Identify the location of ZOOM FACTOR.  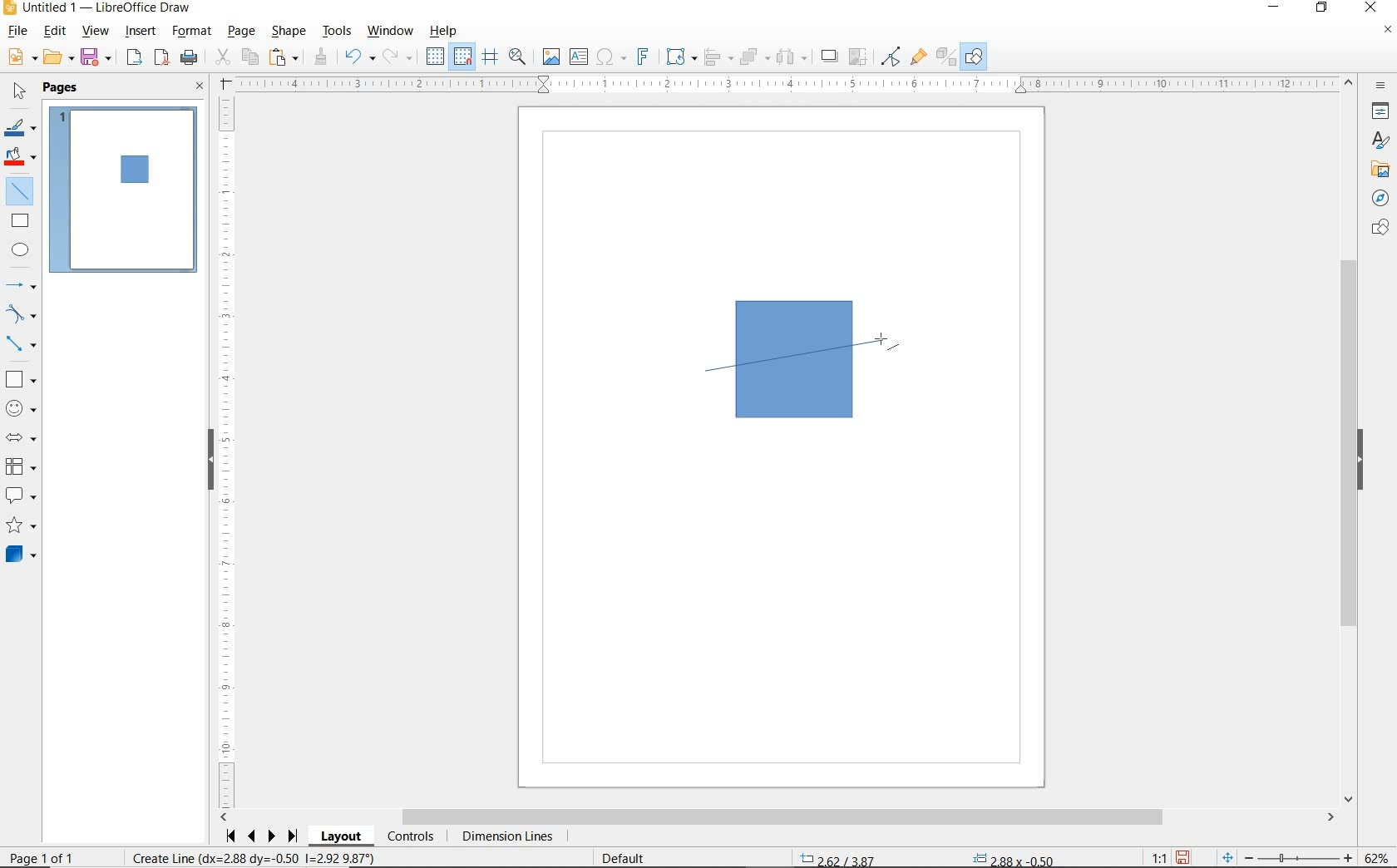
(1375, 858).